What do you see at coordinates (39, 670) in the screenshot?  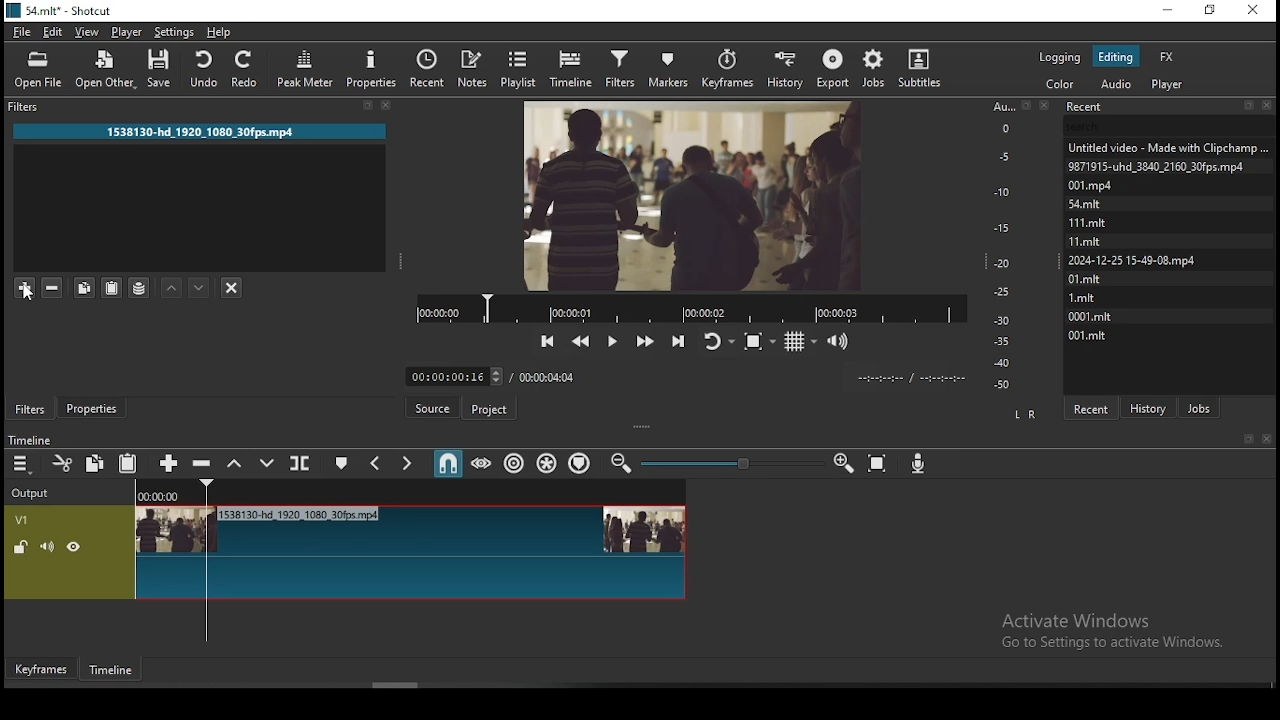 I see `keyframe` at bounding box center [39, 670].